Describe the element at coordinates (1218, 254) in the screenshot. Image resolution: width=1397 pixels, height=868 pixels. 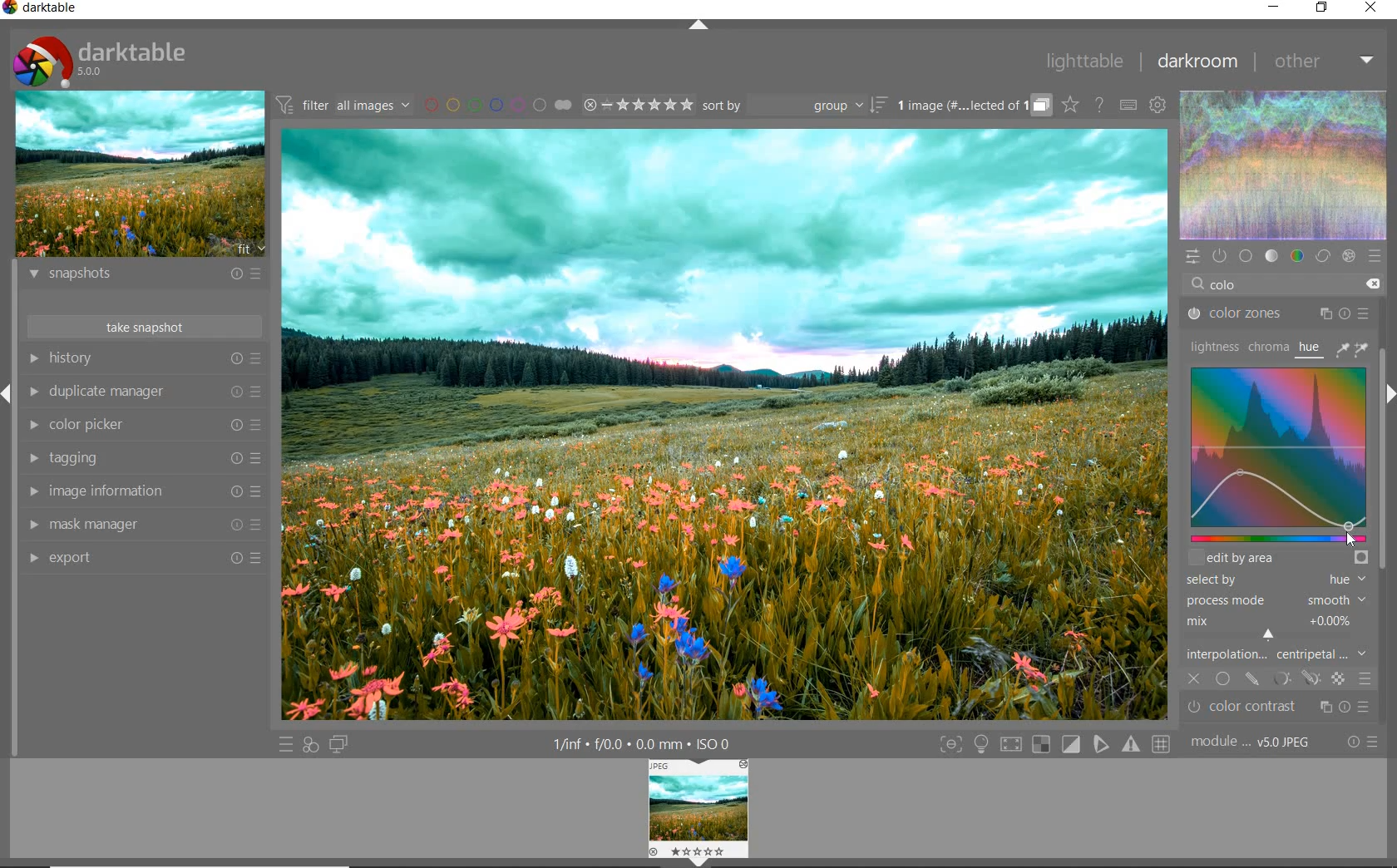
I see `show only active modules` at that location.